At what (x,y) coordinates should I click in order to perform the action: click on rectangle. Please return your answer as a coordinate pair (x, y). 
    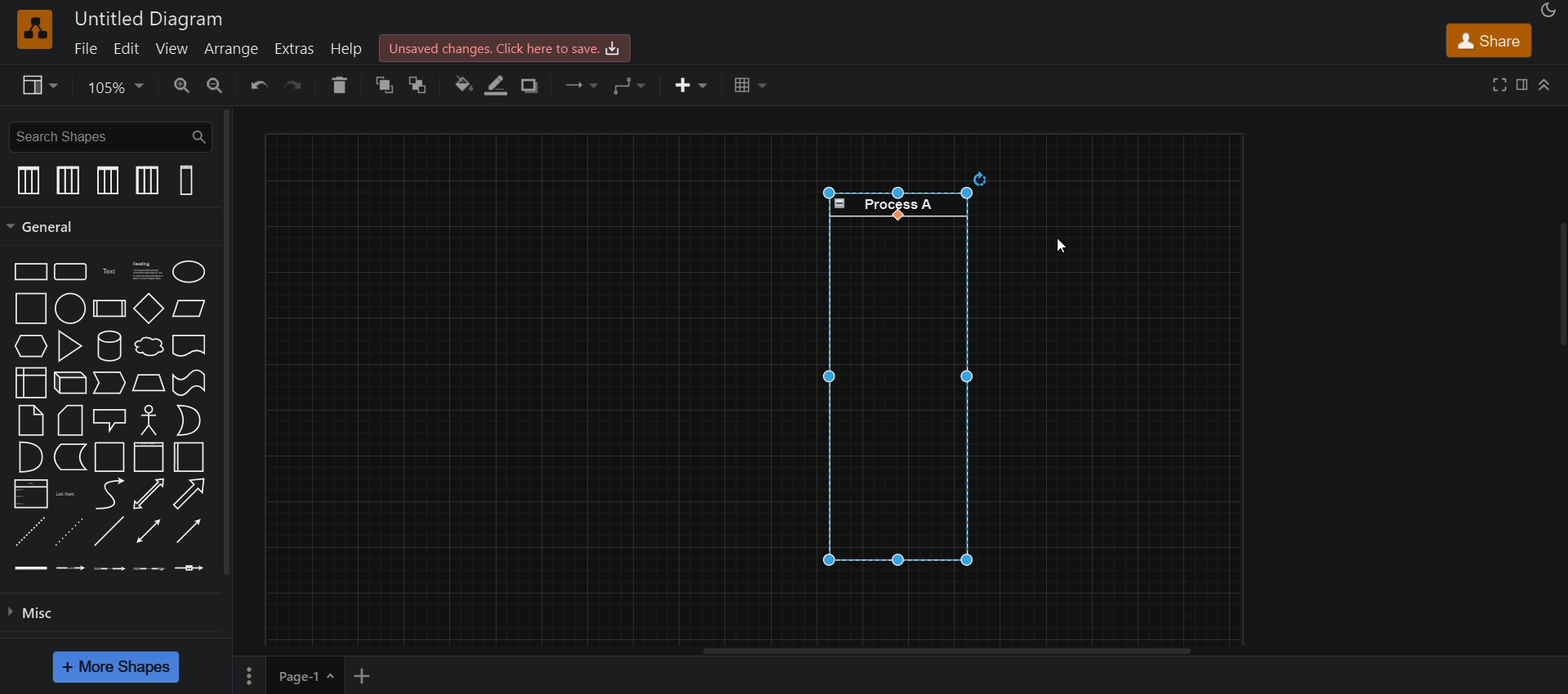
    Looking at the image, I should click on (25, 271).